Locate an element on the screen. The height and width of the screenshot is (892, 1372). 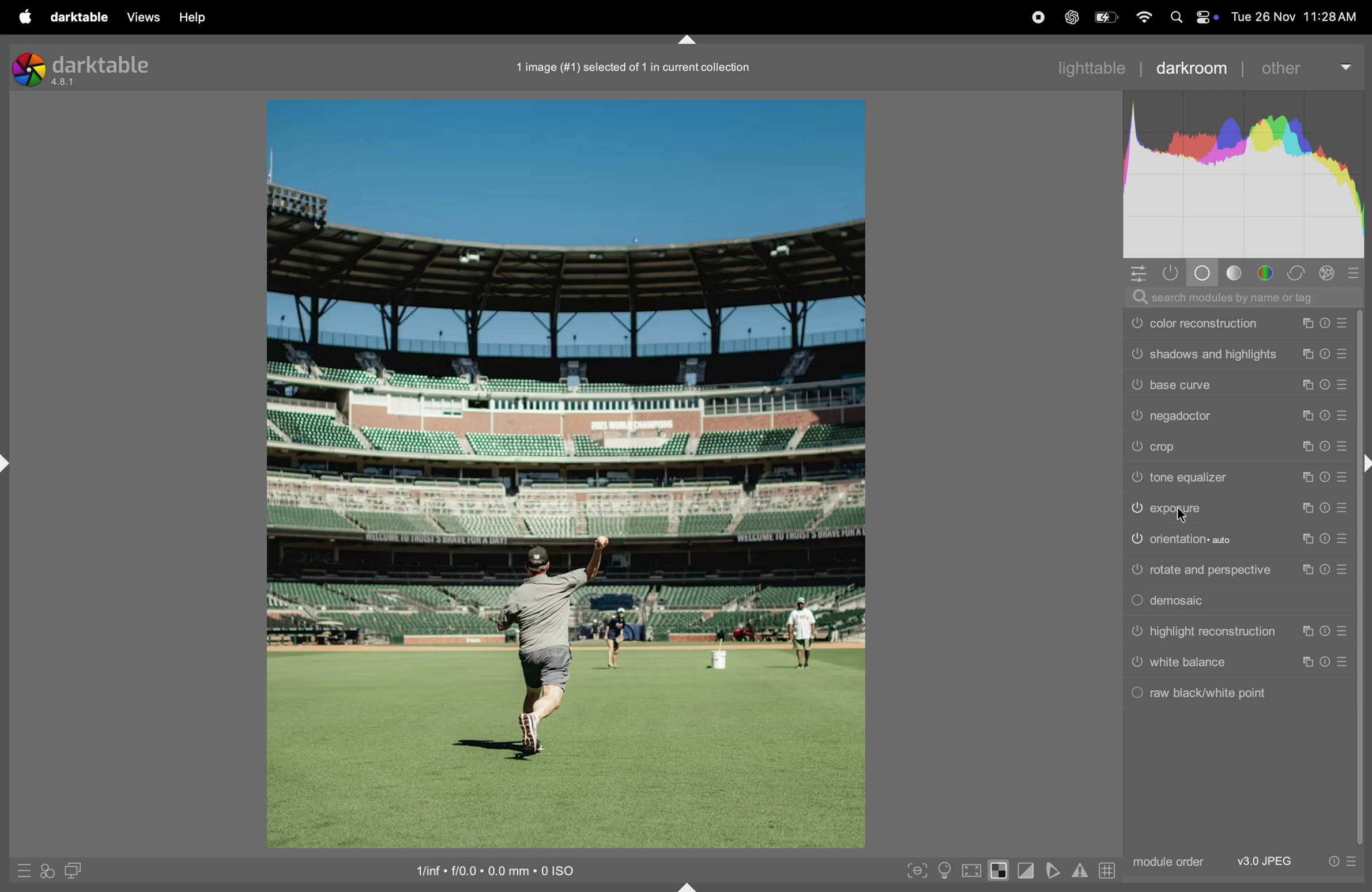
help is located at coordinates (196, 17).